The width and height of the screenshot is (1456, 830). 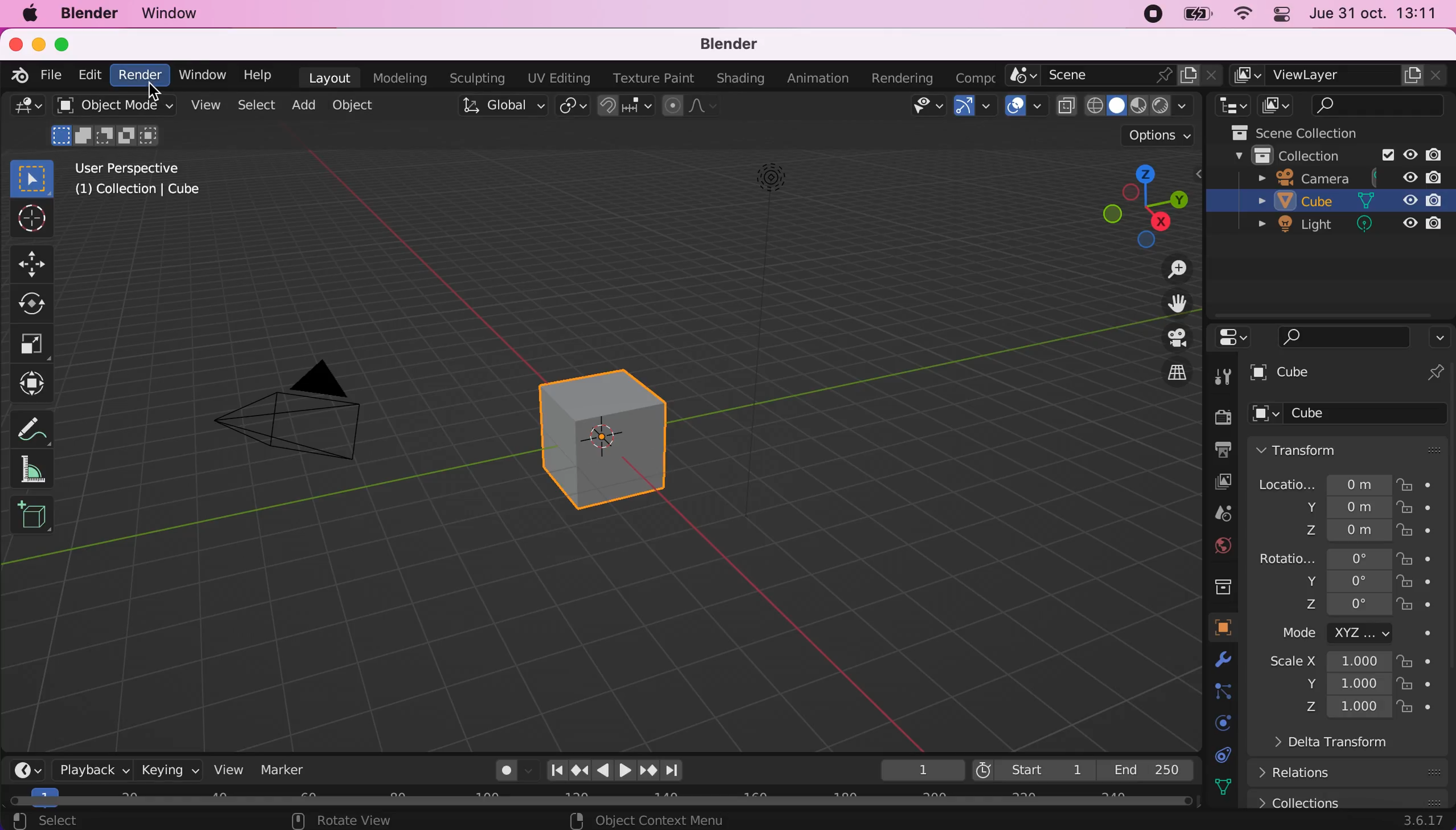 What do you see at coordinates (1229, 787) in the screenshot?
I see `texture` at bounding box center [1229, 787].